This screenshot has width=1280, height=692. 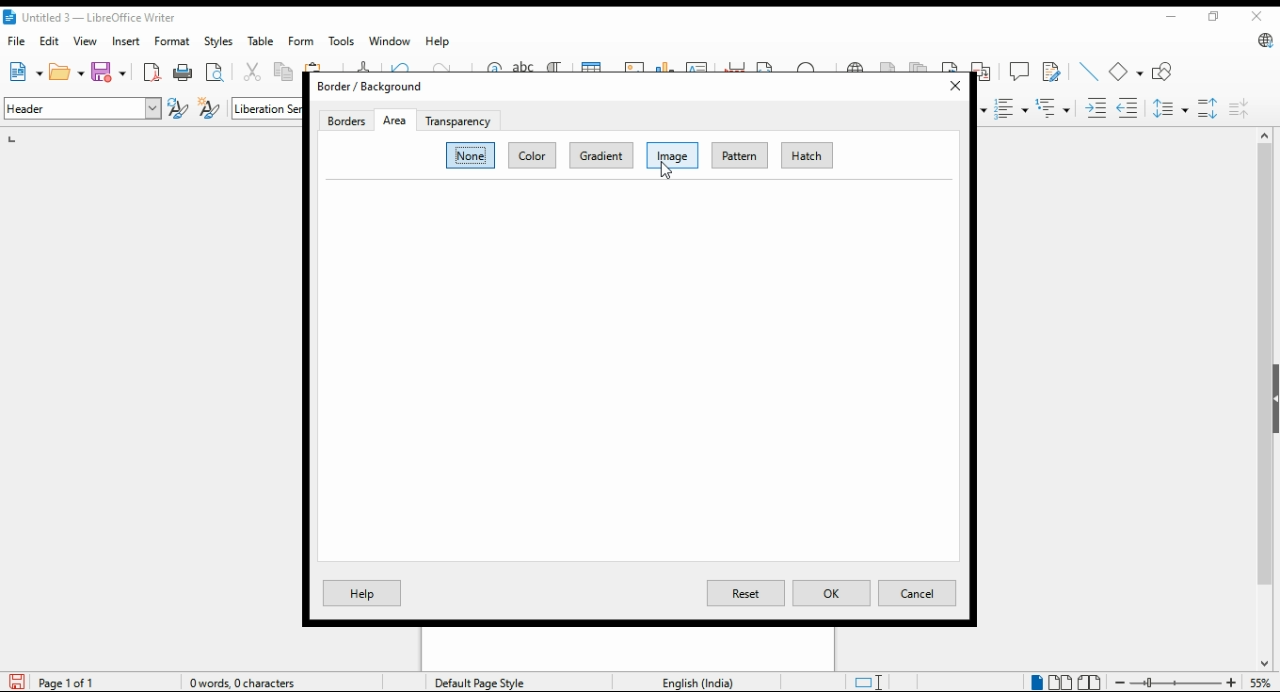 What do you see at coordinates (1256, 17) in the screenshot?
I see `close window` at bounding box center [1256, 17].